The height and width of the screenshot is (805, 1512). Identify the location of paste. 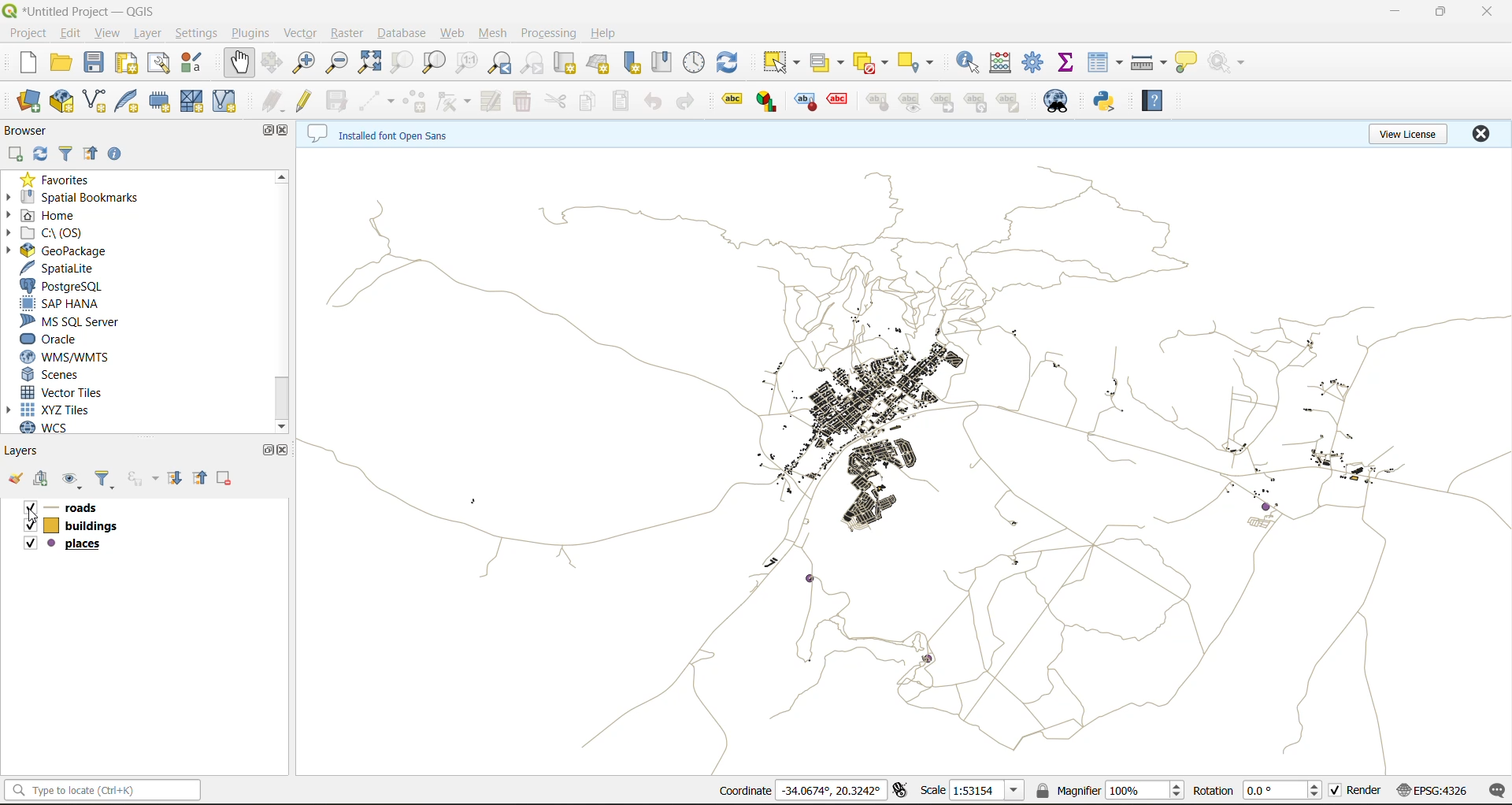
(617, 102).